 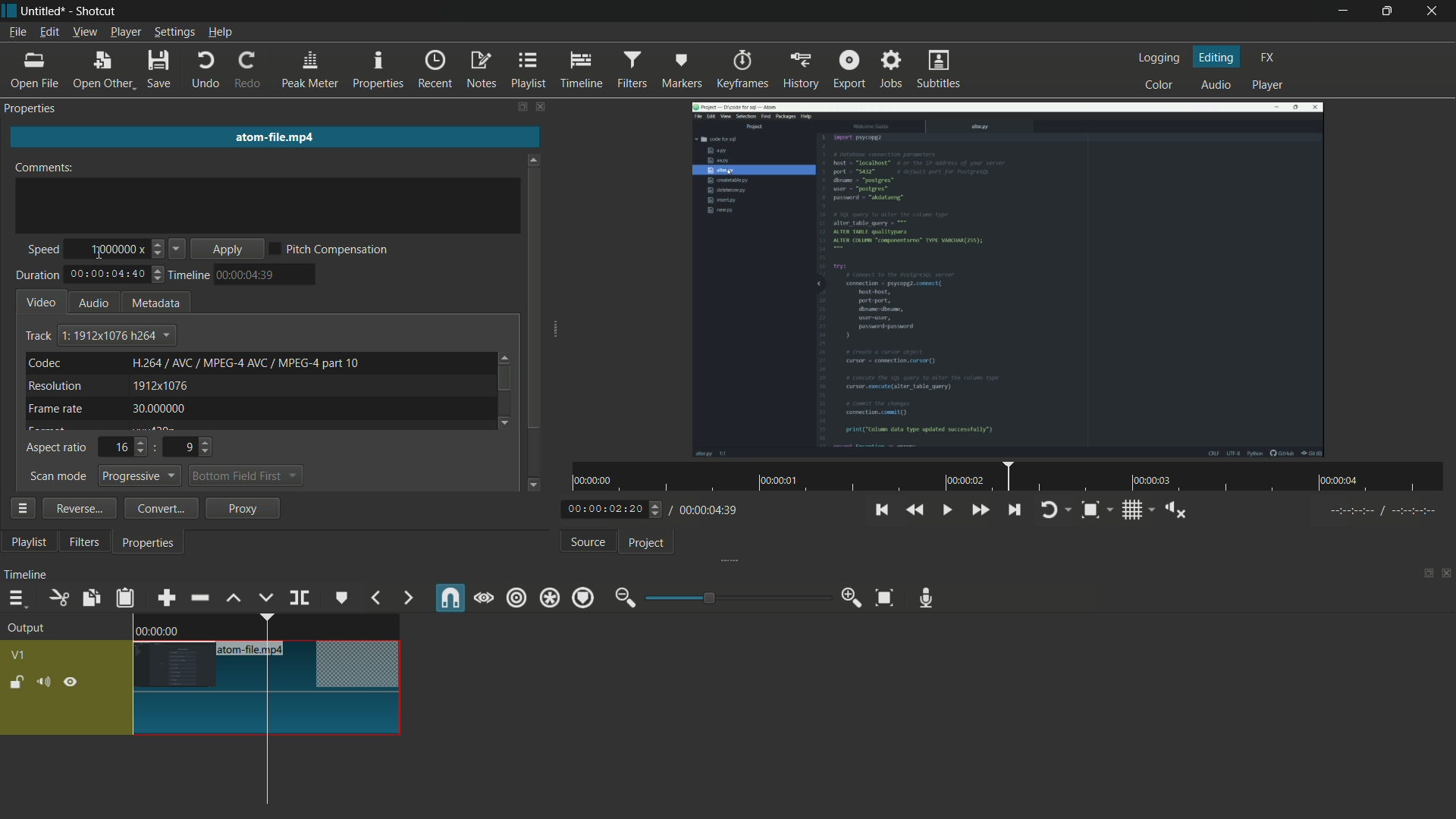 I want to click on quickly play forward, so click(x=982, y=511).